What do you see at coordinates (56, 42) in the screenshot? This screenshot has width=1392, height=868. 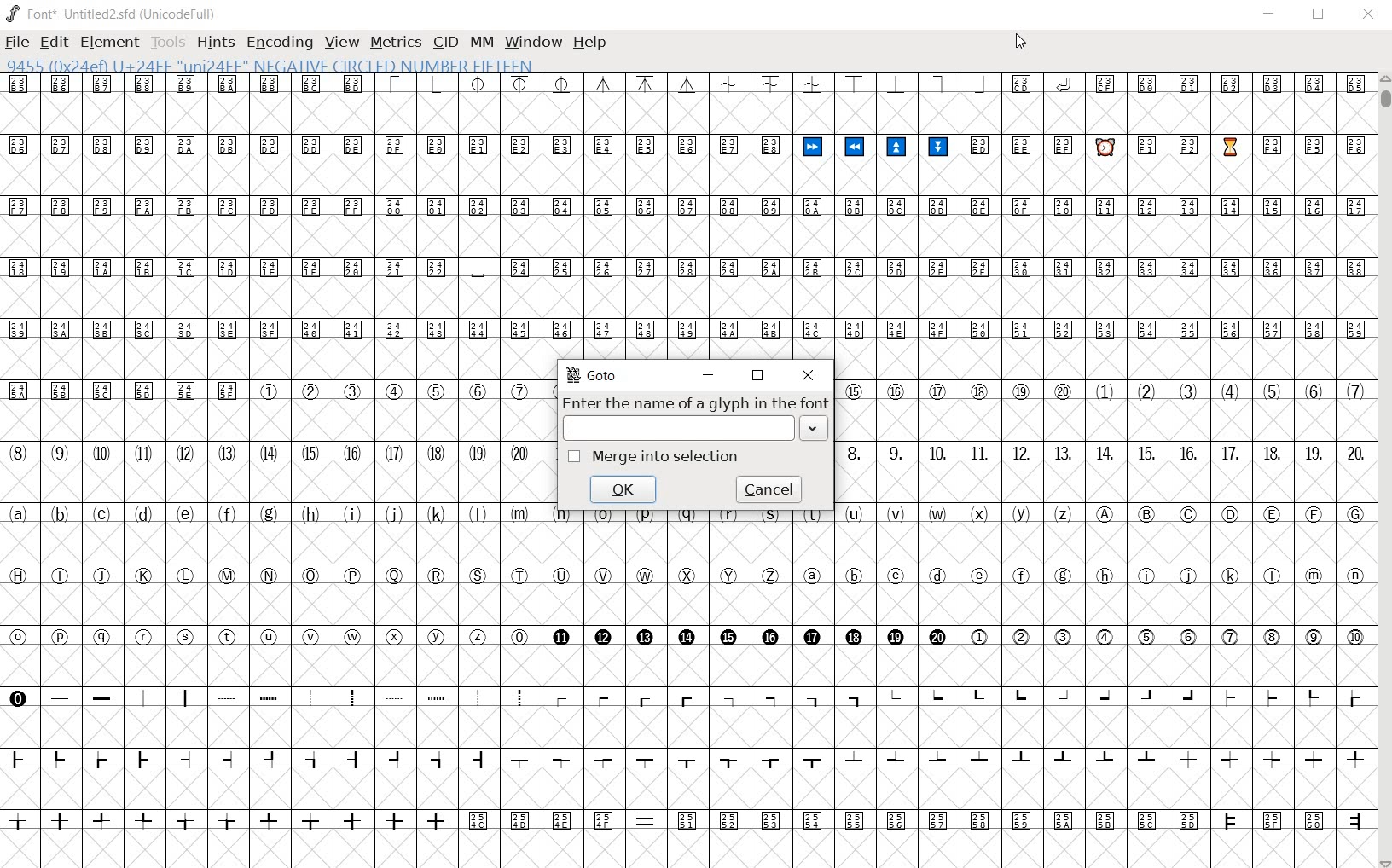 I see `EDIT` at bounding box center [56, 42].